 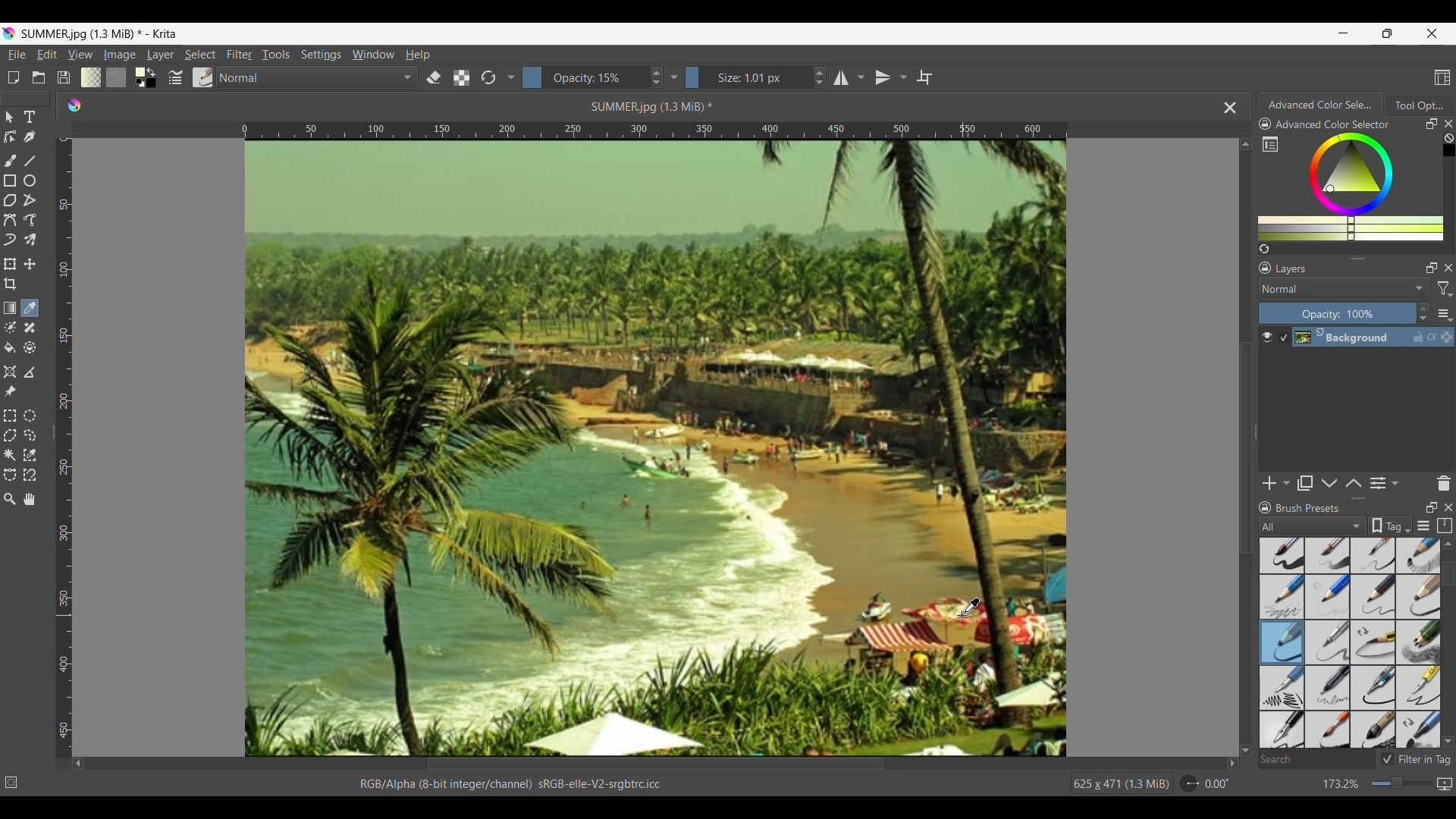 I want to click on Lock, so click(x=1266, y=508).